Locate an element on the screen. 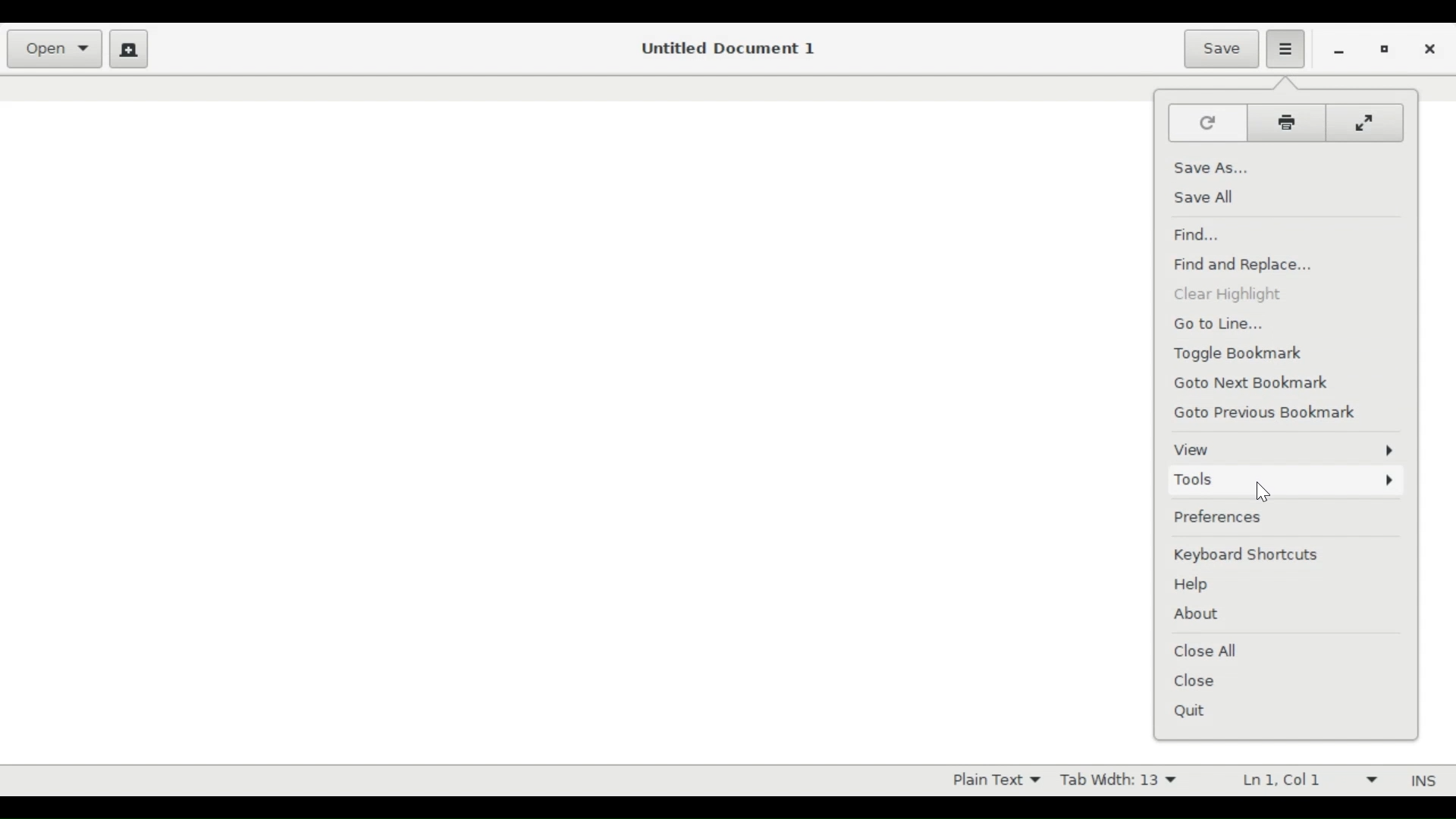  Save is located at coordinates (1220, 49).